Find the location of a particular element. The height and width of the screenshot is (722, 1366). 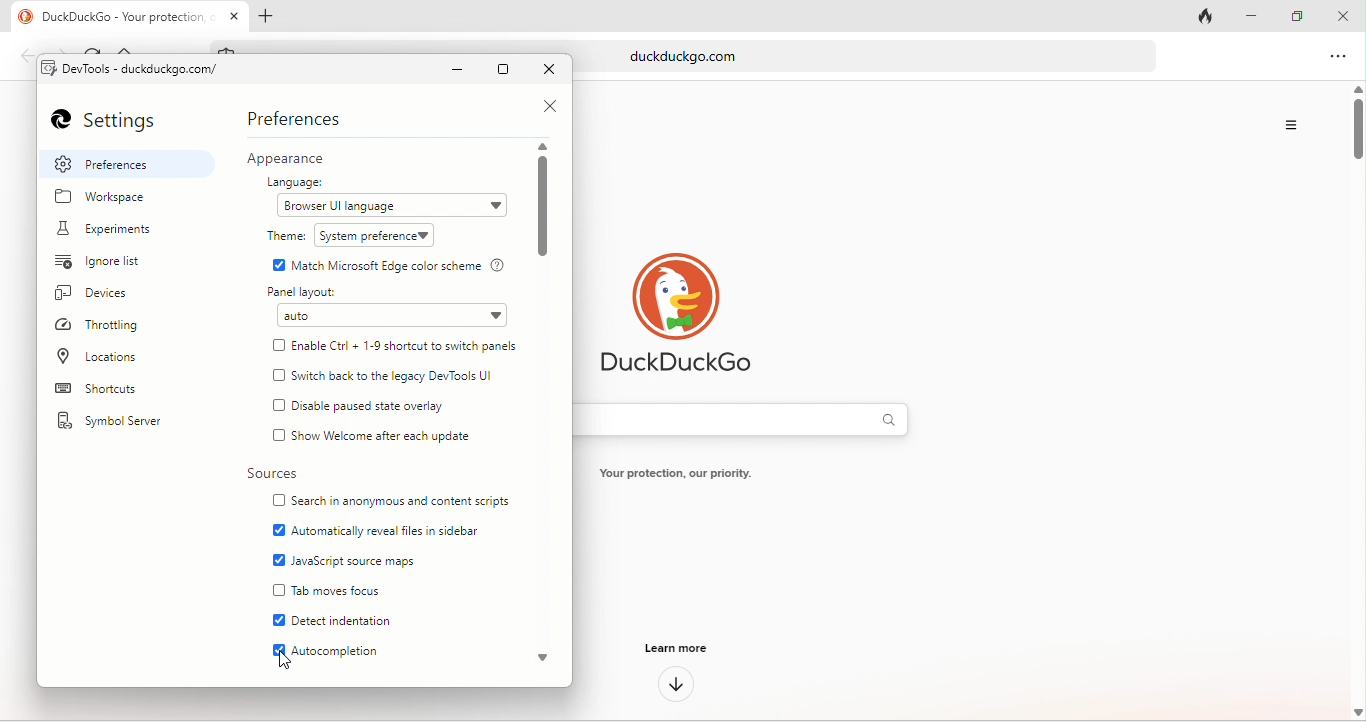

close tab and clear data is located at coordinates (1207, 15).